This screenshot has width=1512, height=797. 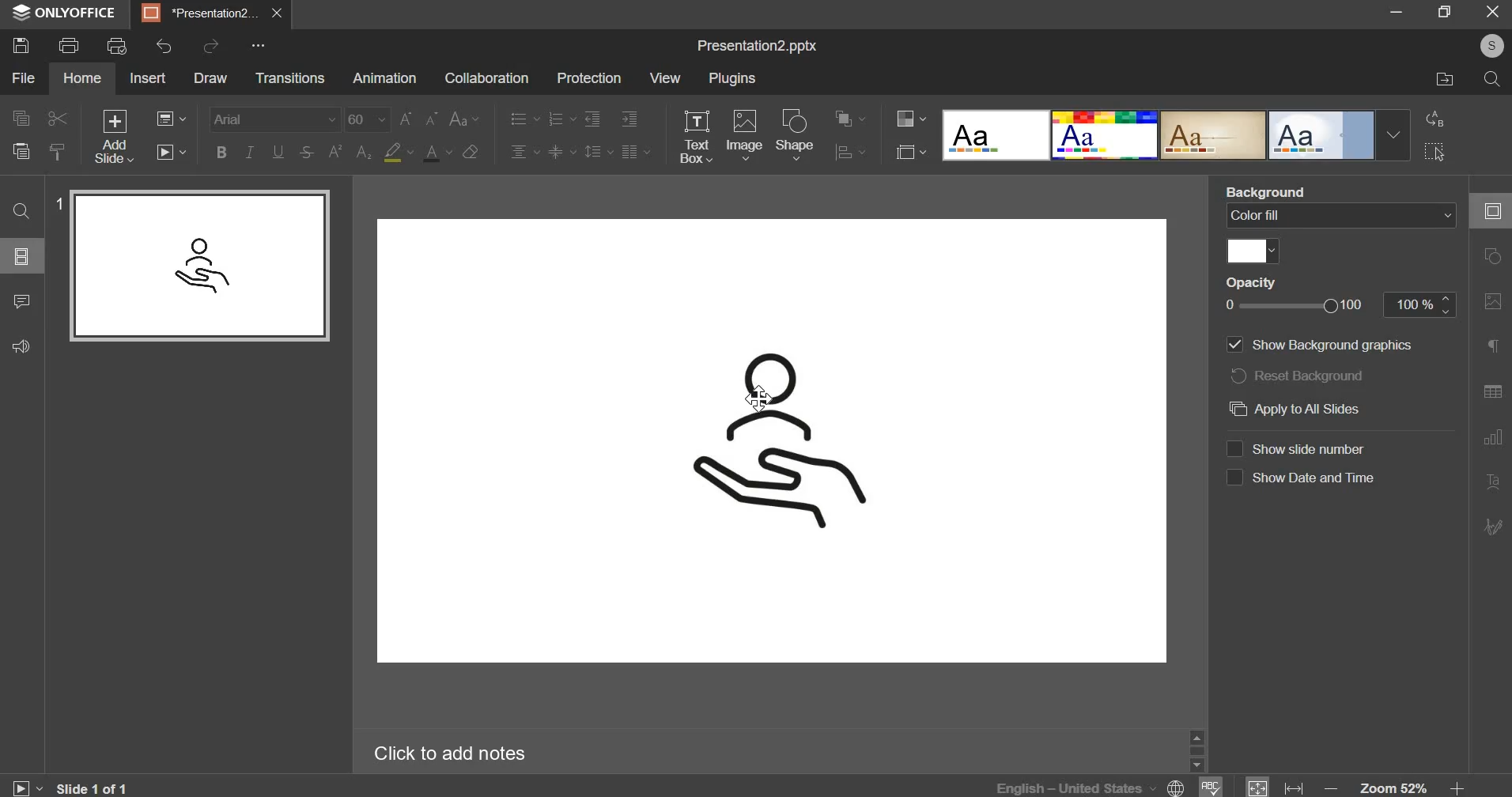 What do you see at coordinates (1305, 461) in the screenshot?
I see `number & date` at bounding box center [1305, 461].